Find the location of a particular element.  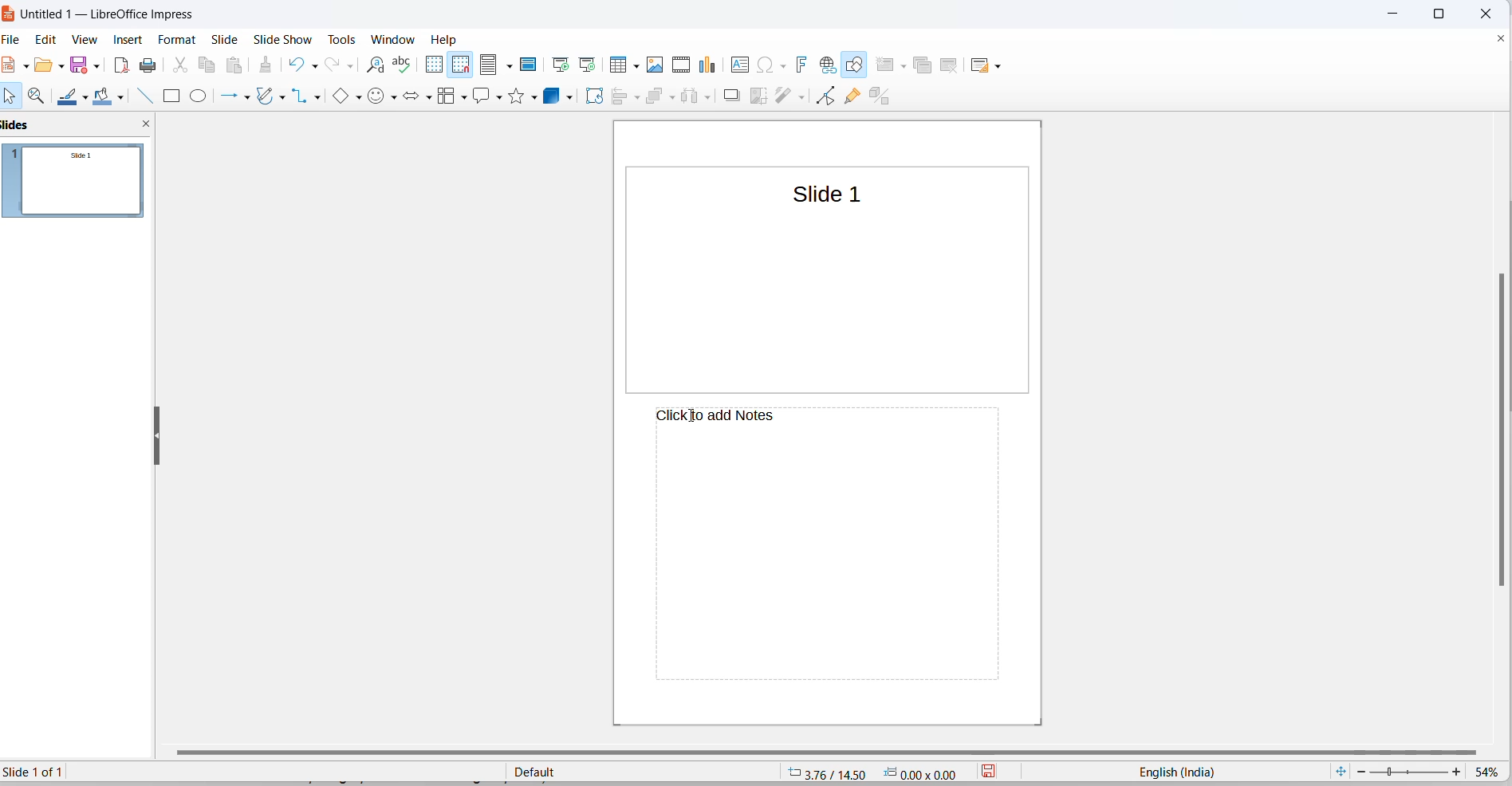

text language is located at coordinates (1177, 772).